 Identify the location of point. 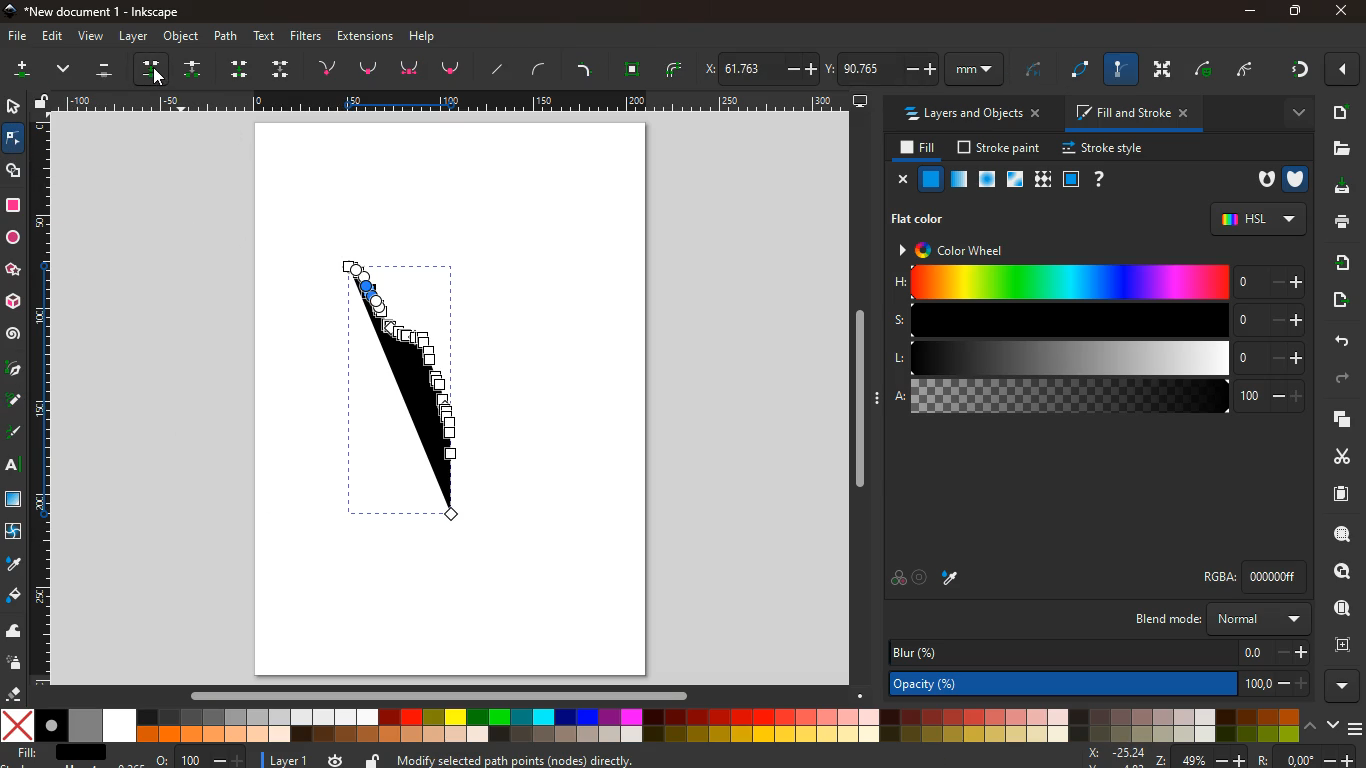
(369, 68).